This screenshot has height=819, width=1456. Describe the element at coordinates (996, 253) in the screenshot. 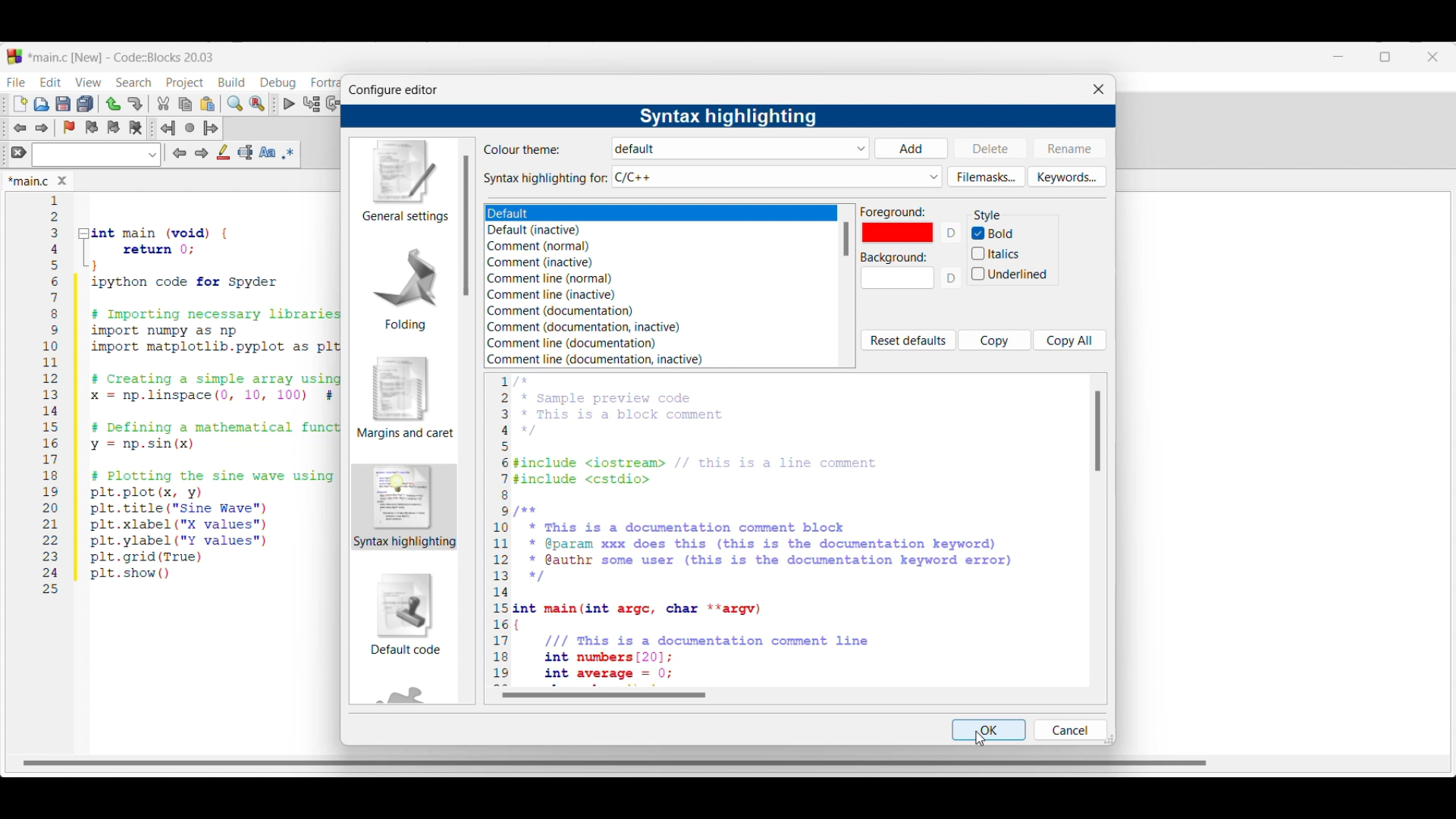

I see `italics` at that location.